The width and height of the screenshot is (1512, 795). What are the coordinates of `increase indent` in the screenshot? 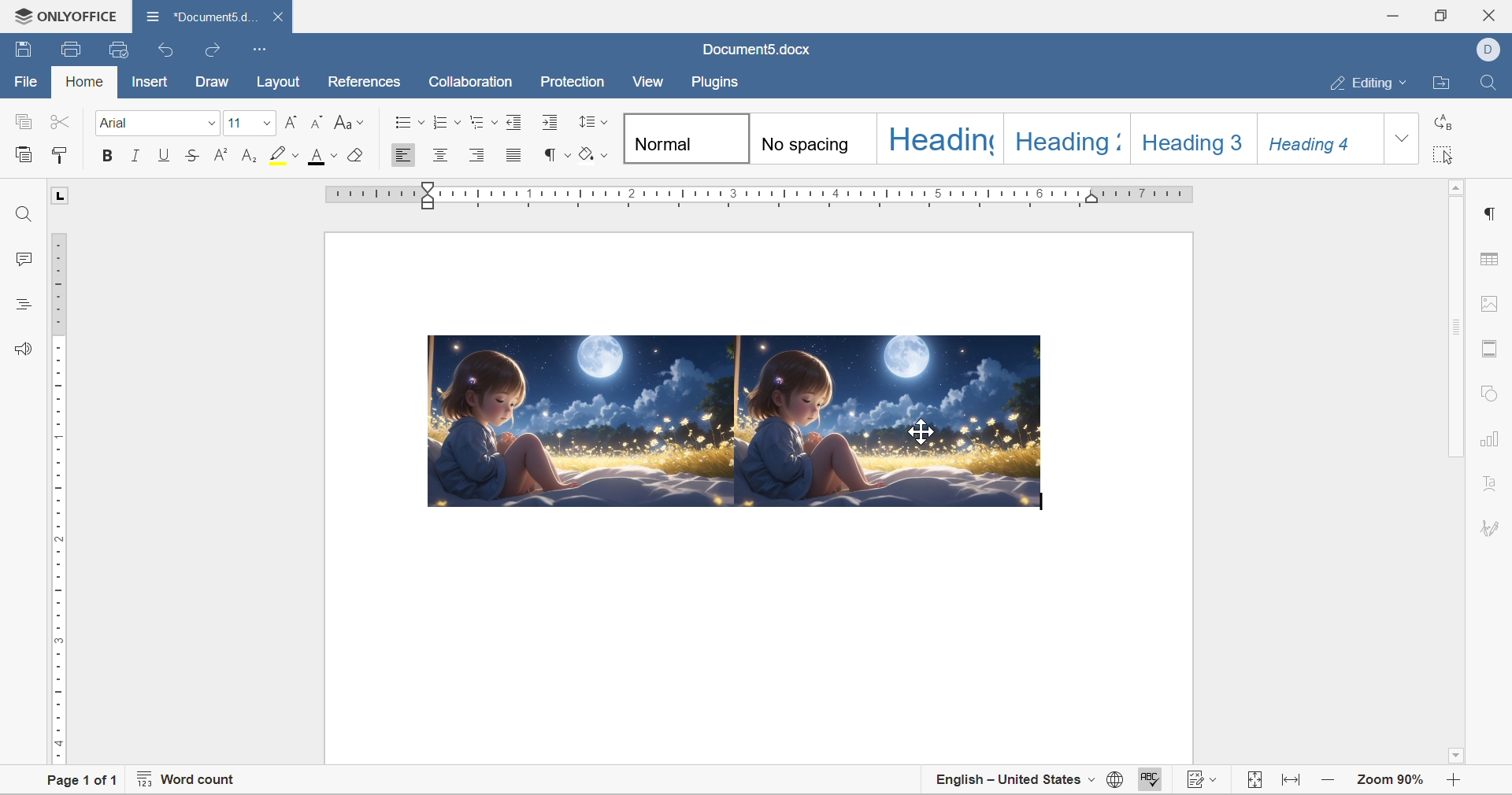 It's located at (553, 122).